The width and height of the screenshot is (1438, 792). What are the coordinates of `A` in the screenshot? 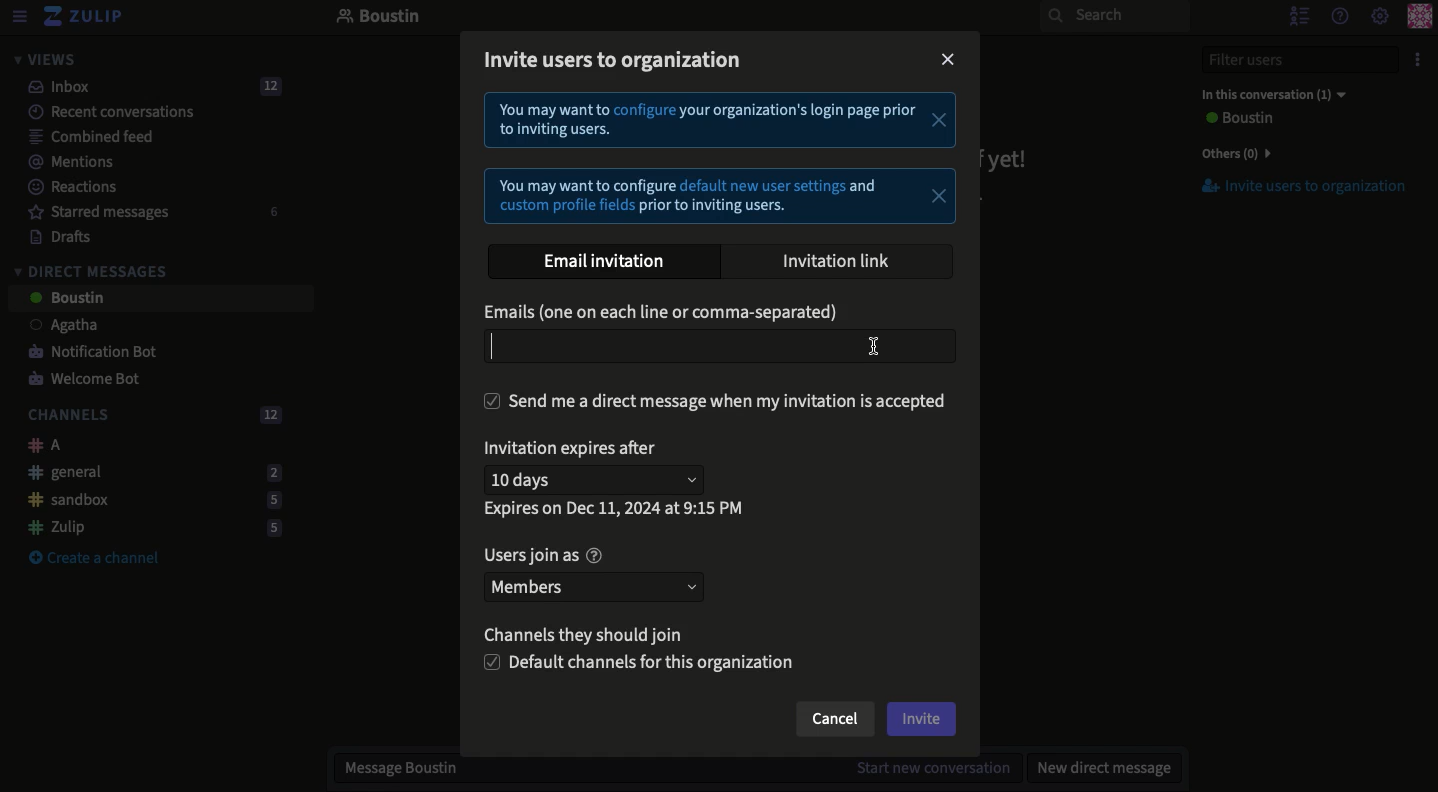 It's located at (39, 445).